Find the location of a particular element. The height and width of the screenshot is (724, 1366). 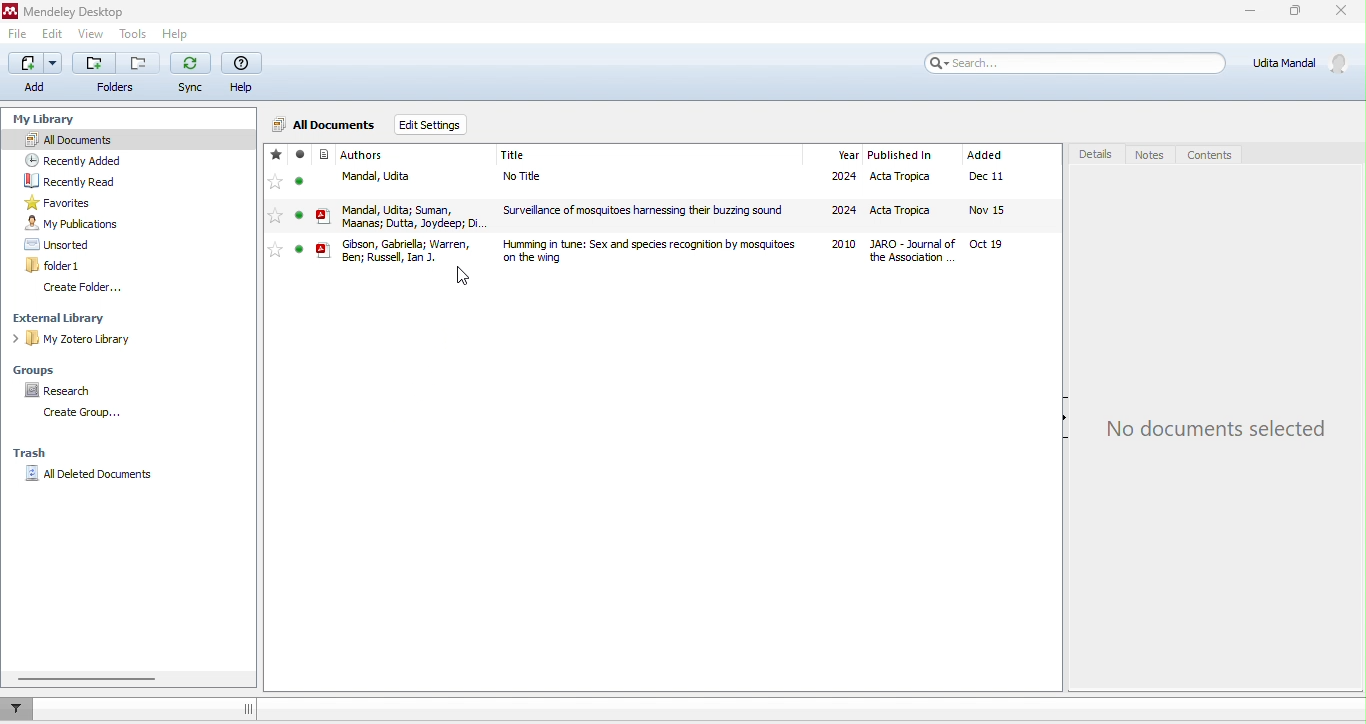

external library is located at coordinates (69, 318).